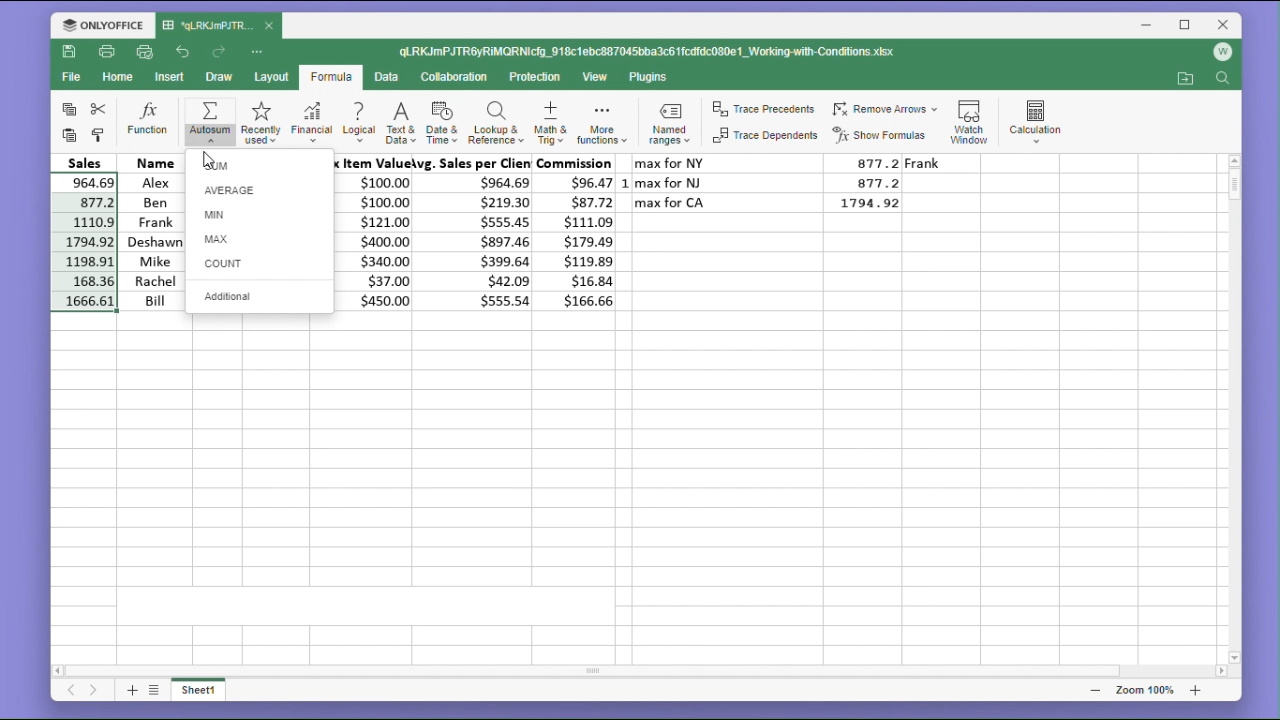 This screenshot has width=1280, height=720. Describe the element at coordinates (260, 265) in the screenshot. I see `count` at that location.